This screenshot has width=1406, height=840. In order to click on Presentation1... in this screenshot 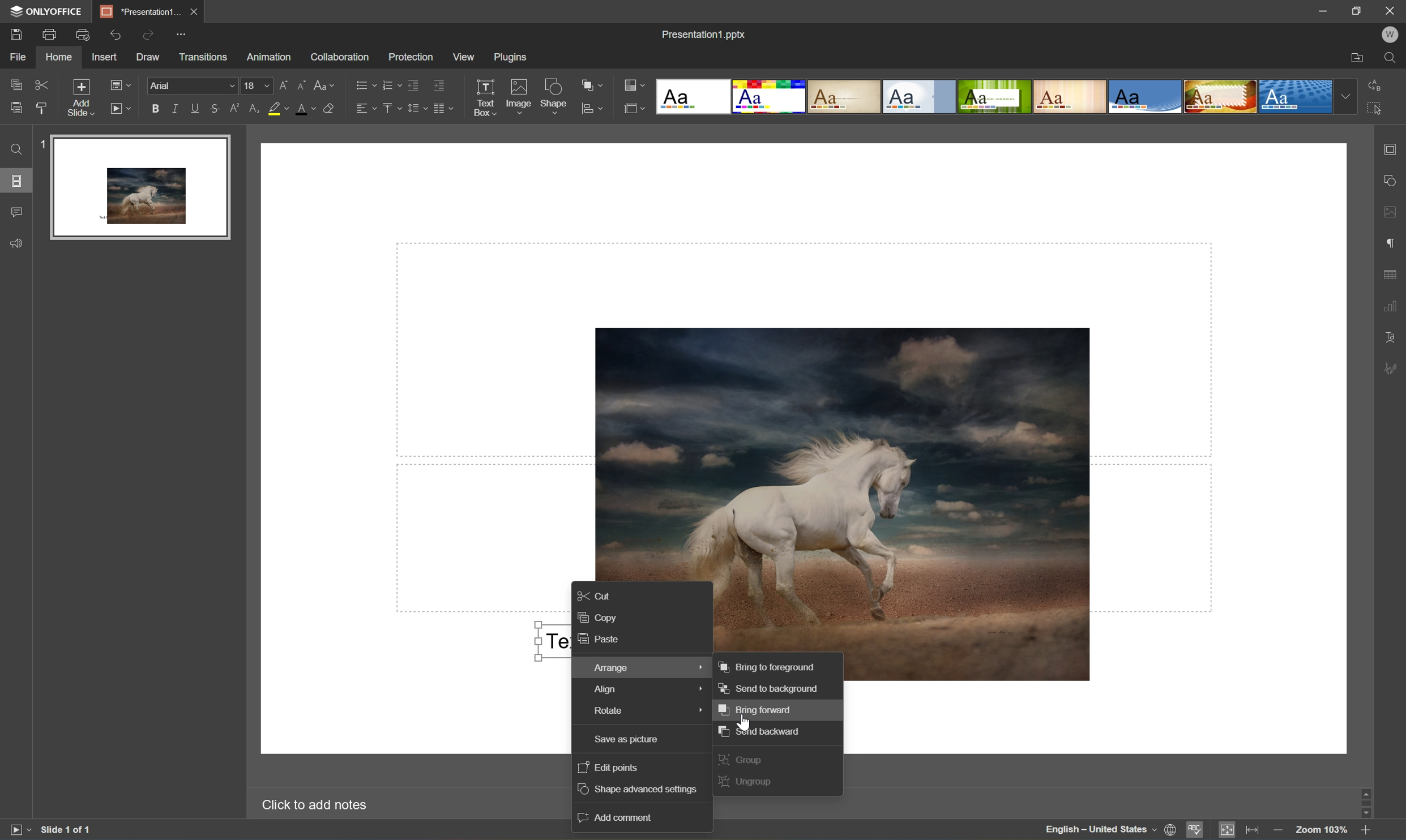, I will do `click(138, 11)`.